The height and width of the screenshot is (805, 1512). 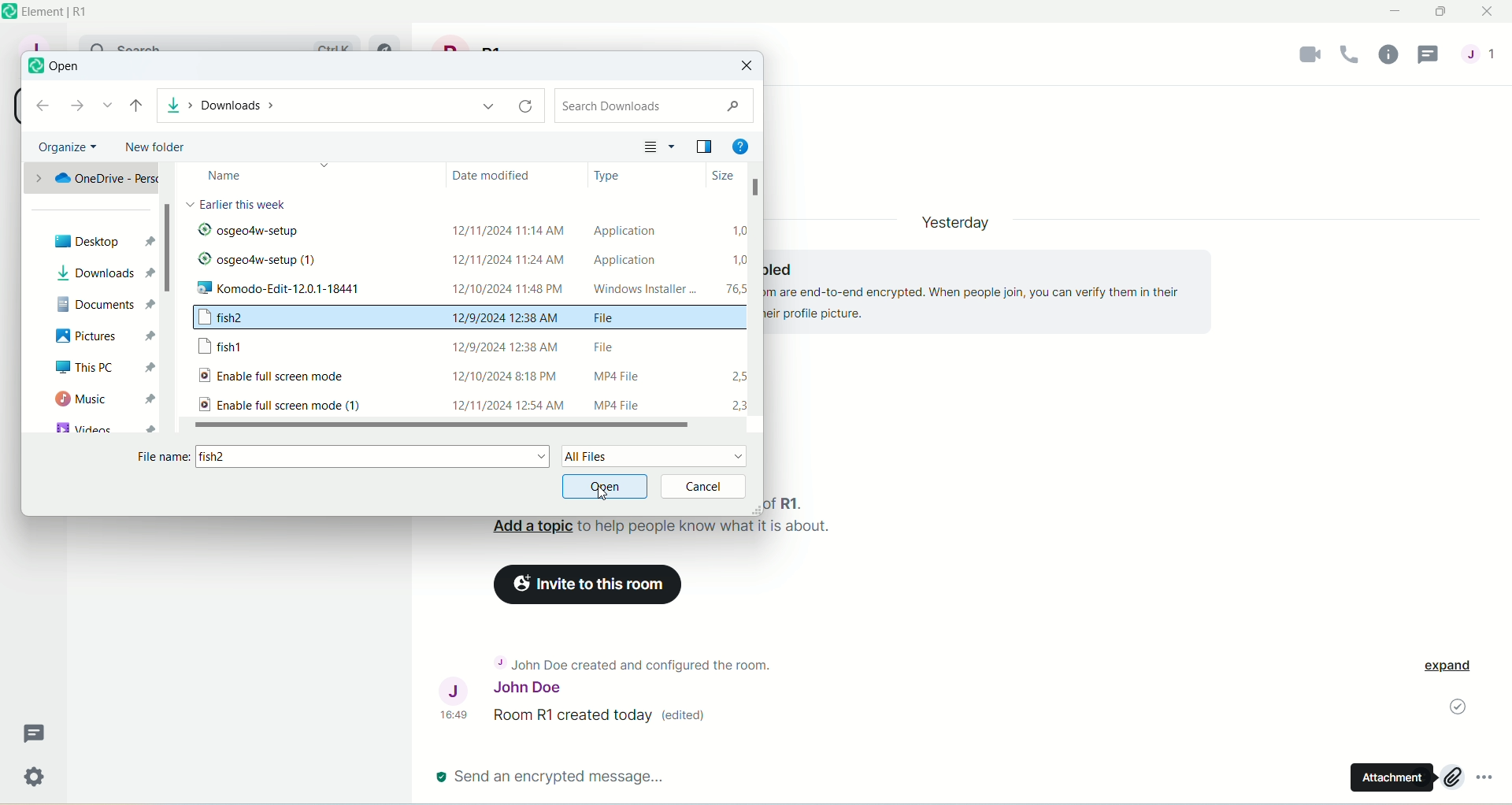 I want to click on Mp4 file, so click(x=632, y=405).